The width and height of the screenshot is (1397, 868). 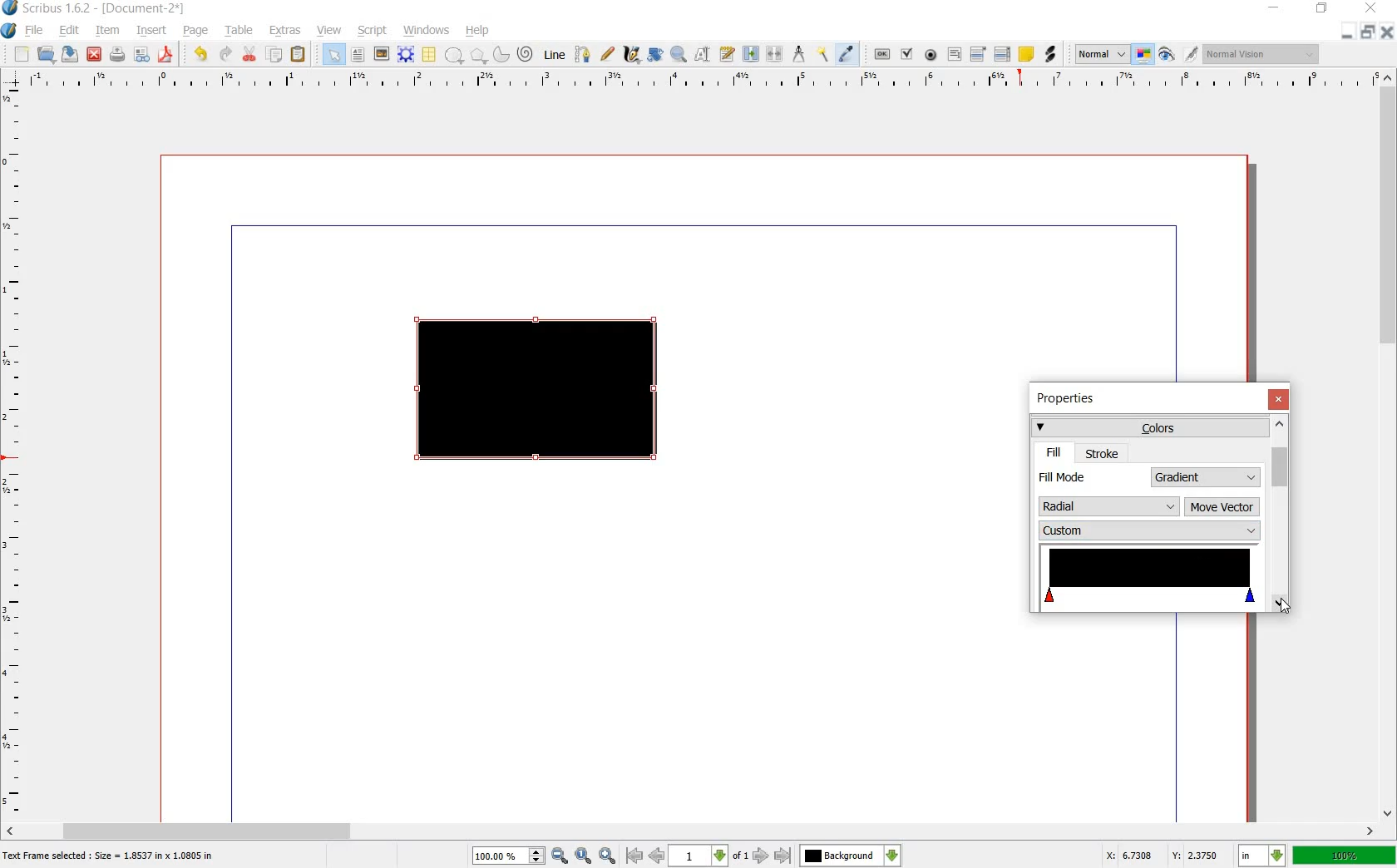 What do you see at coordinates (697, 856) in the screenshot?
I see `1` at bounding box center [697, 856].